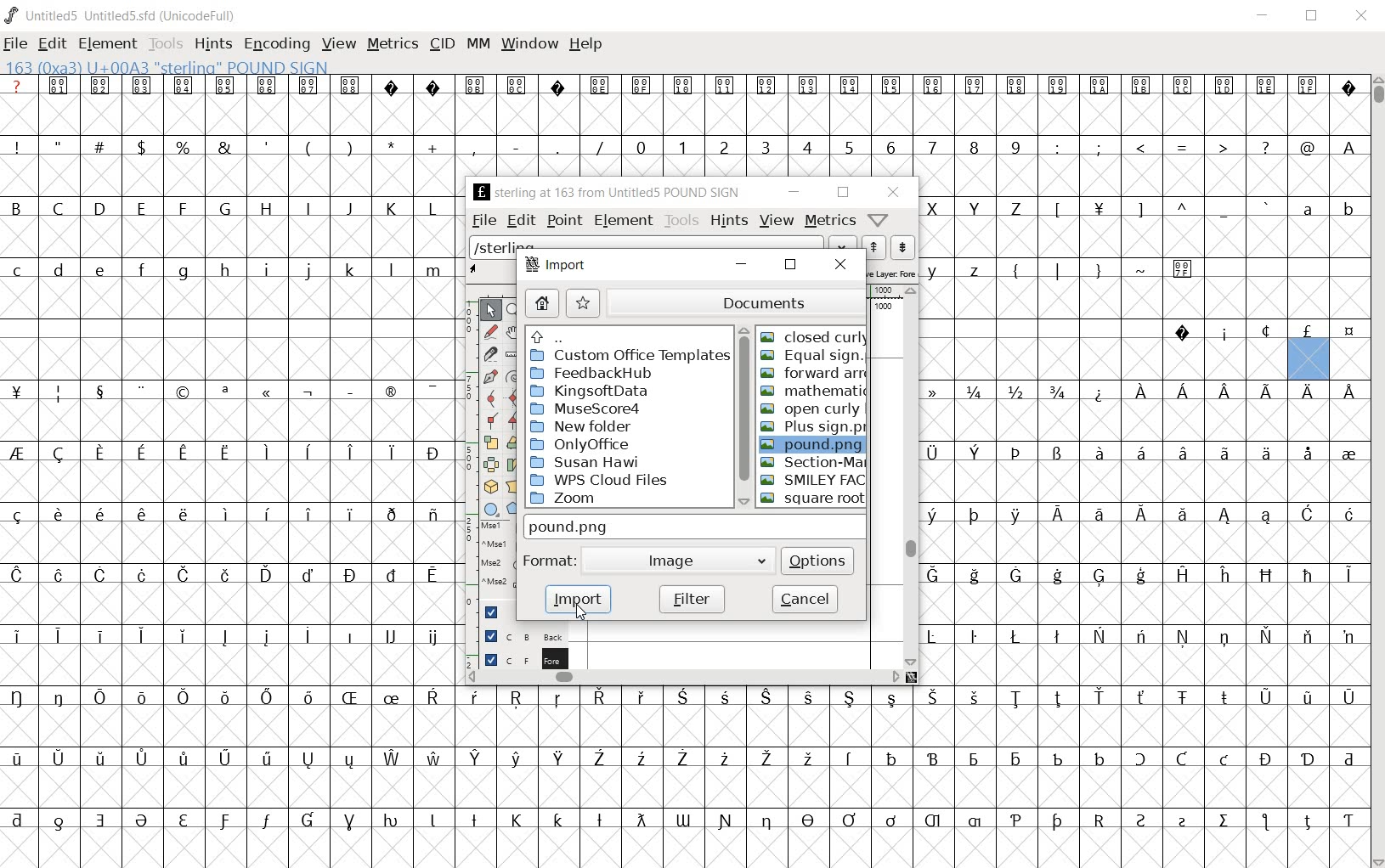 The width and height of the screenshot is (1385, 868). I want to click on Symbol, so click(99, 513).